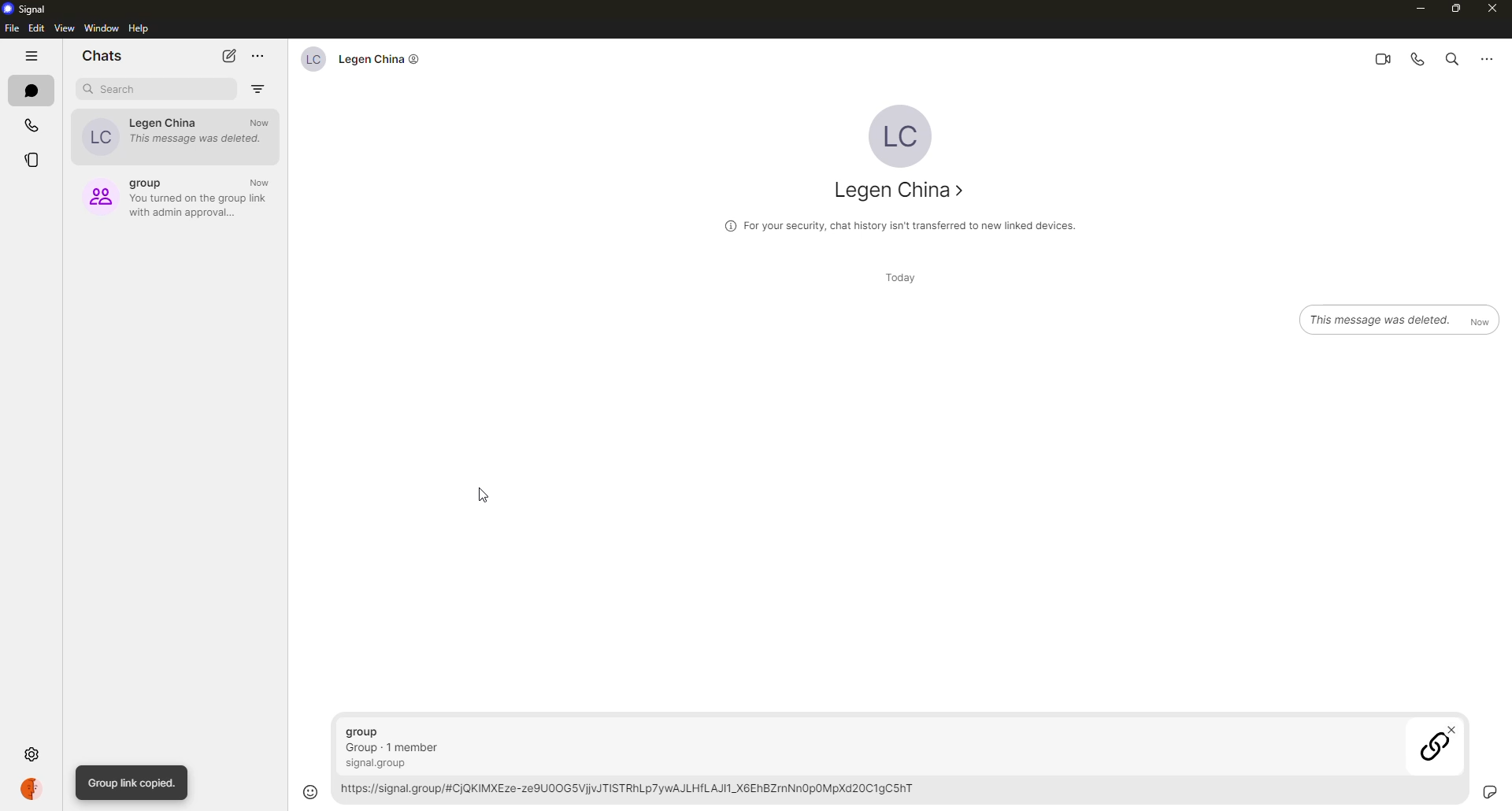 This screenshot has width=1512, height=811. I want to click on voice call, so click(1416, 59).